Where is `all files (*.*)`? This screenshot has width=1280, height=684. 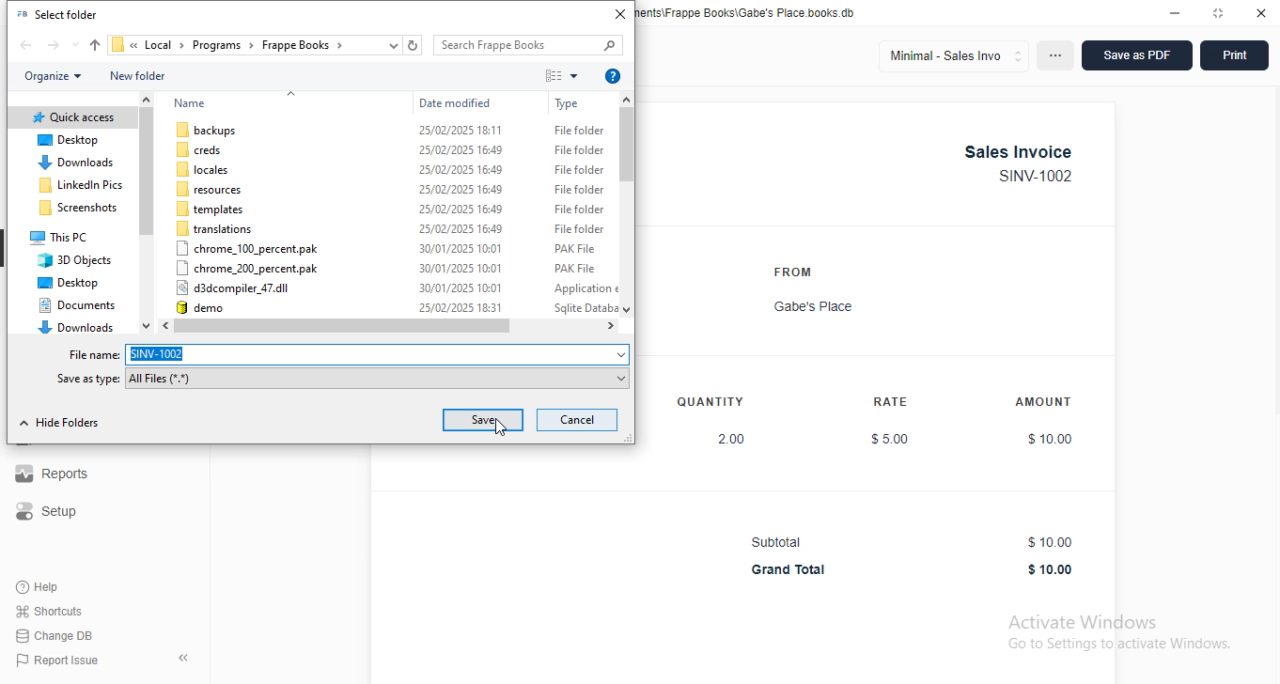
all files (*.*) is located at coordinates (378, 378).